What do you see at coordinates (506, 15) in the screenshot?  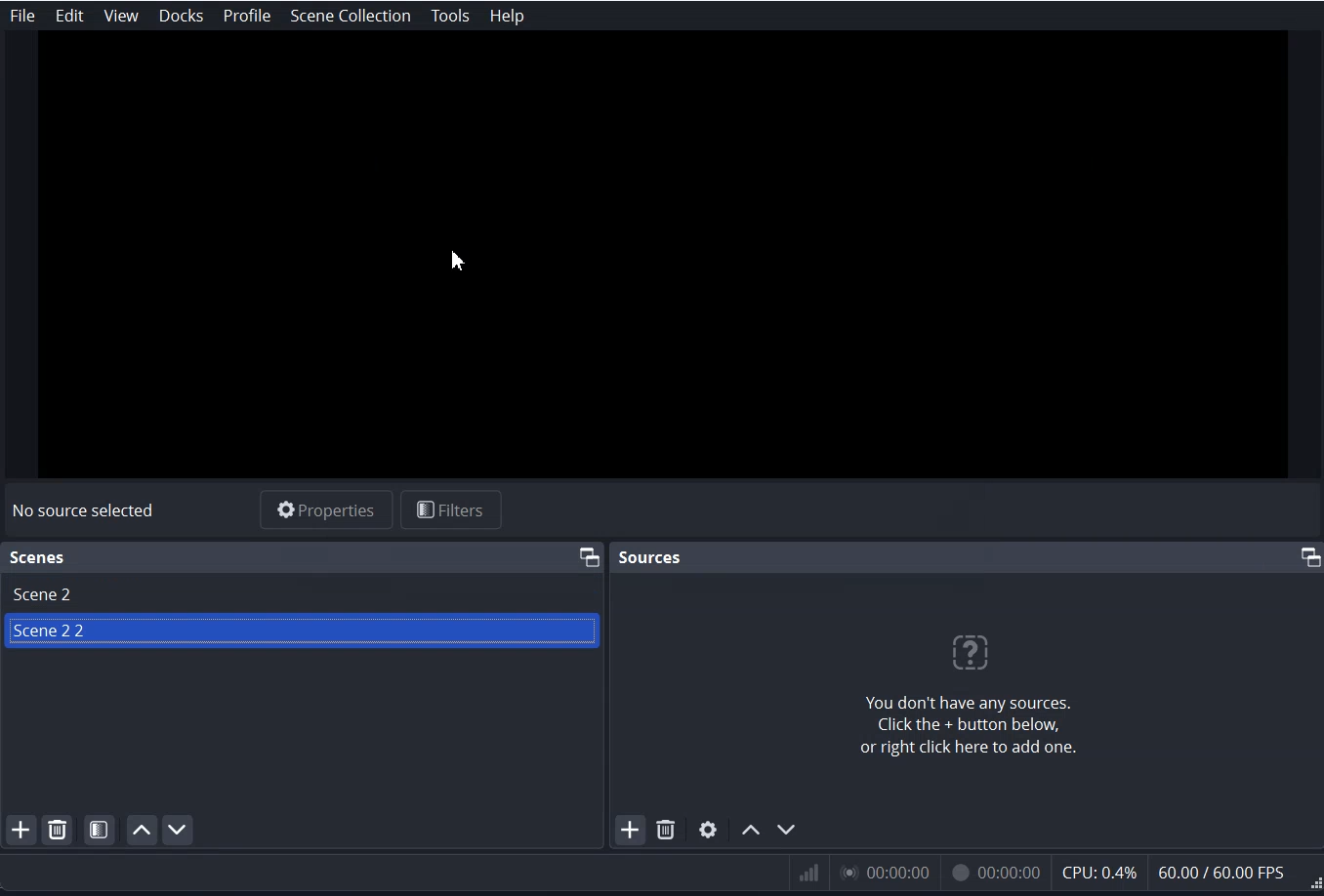 I see `Help` at bounding box center [506, 15].